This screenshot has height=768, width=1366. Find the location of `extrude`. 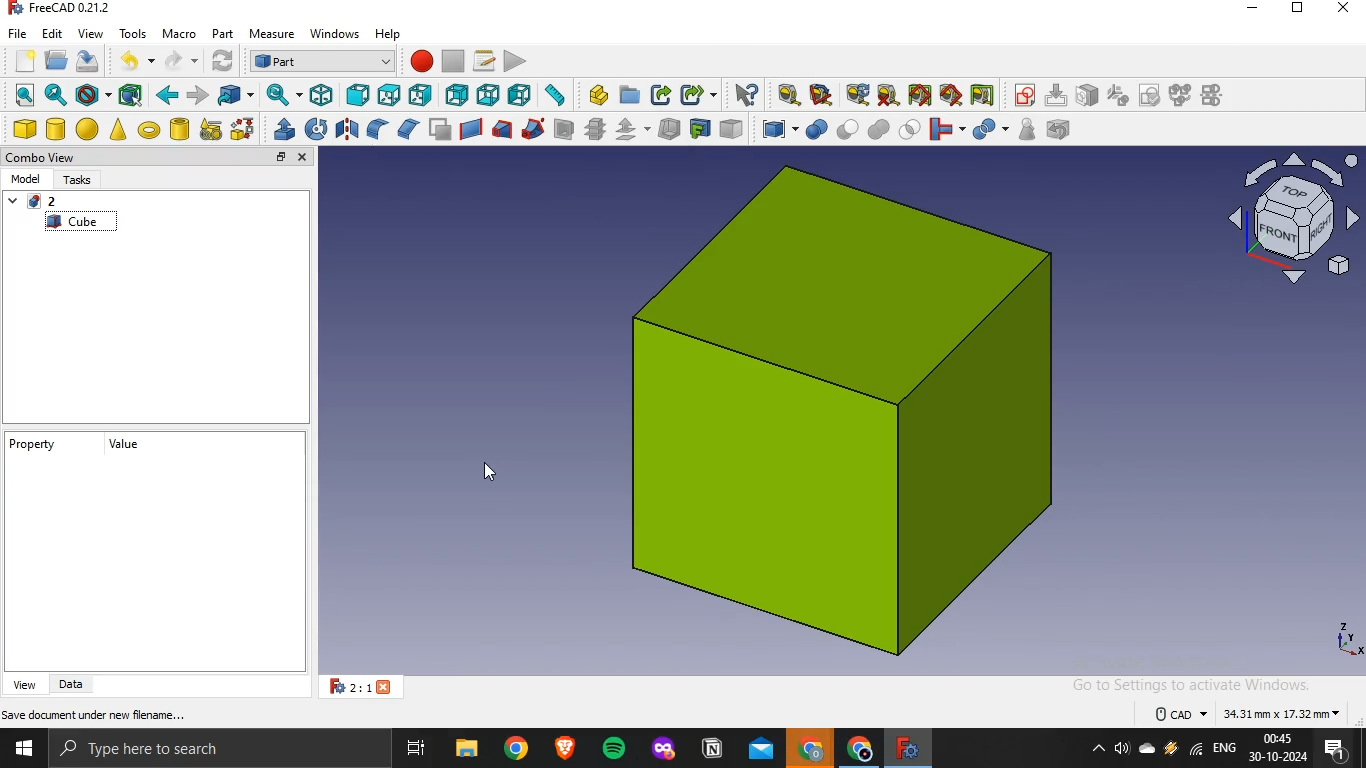

extrude is located at coordinates (284, 129).